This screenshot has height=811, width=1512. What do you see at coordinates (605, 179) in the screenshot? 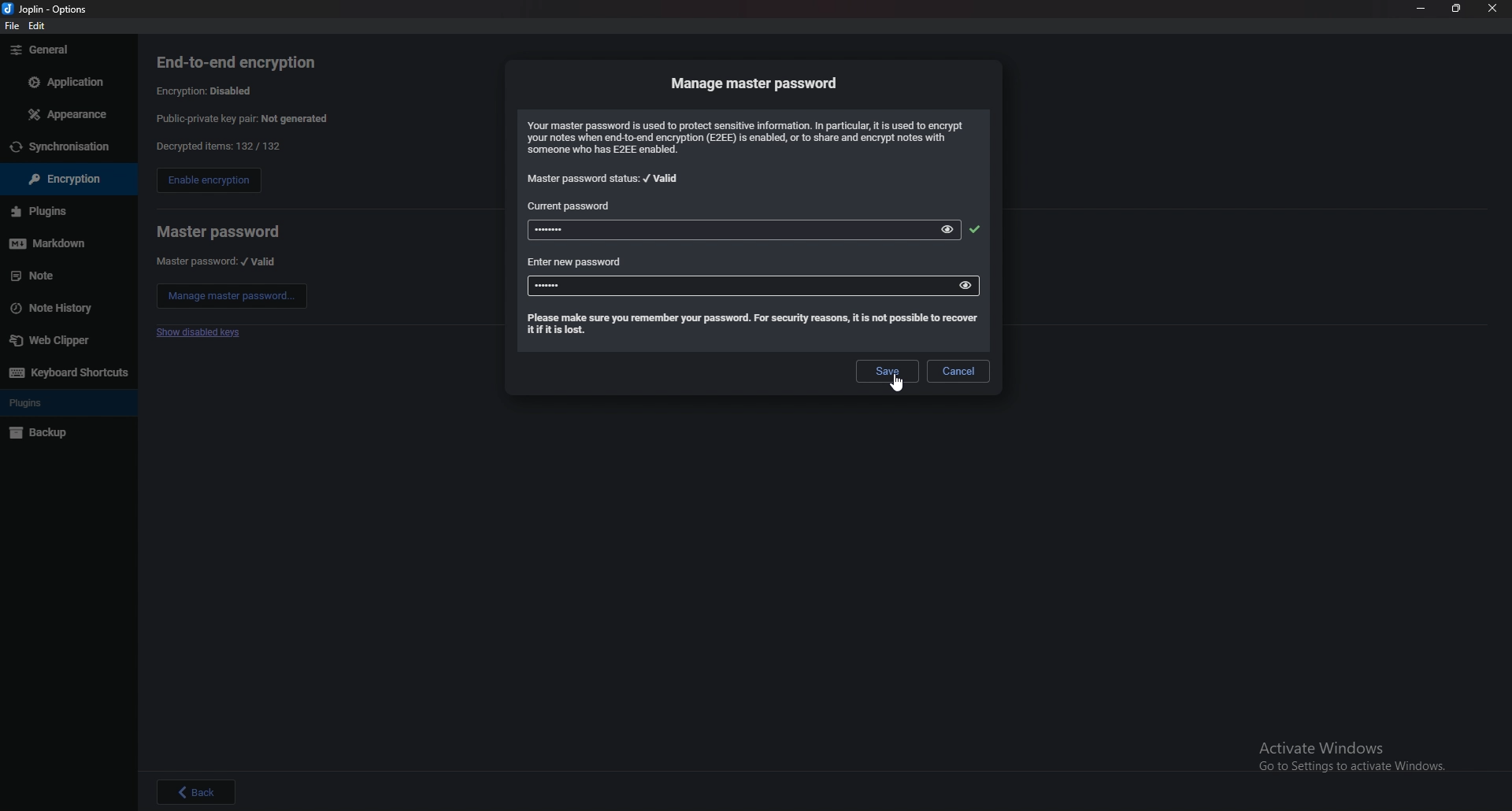
I see `master password status` at bounding box center [605, 179].